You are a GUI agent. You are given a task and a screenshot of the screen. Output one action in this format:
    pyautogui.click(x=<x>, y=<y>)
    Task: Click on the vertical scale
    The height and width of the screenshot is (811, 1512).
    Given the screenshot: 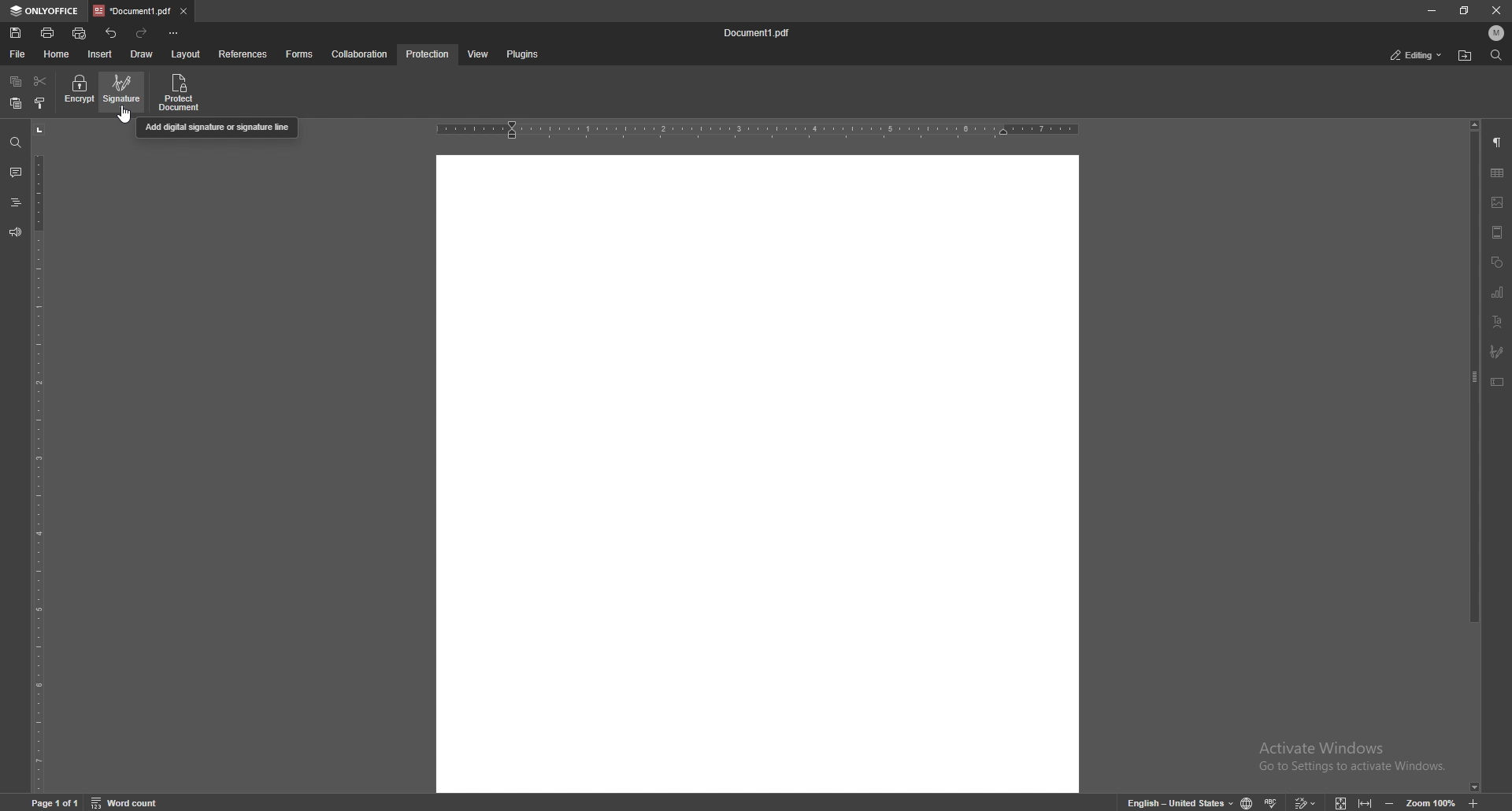 What is the action you would take?
    pyautogui.click(x=39, y=457)
    